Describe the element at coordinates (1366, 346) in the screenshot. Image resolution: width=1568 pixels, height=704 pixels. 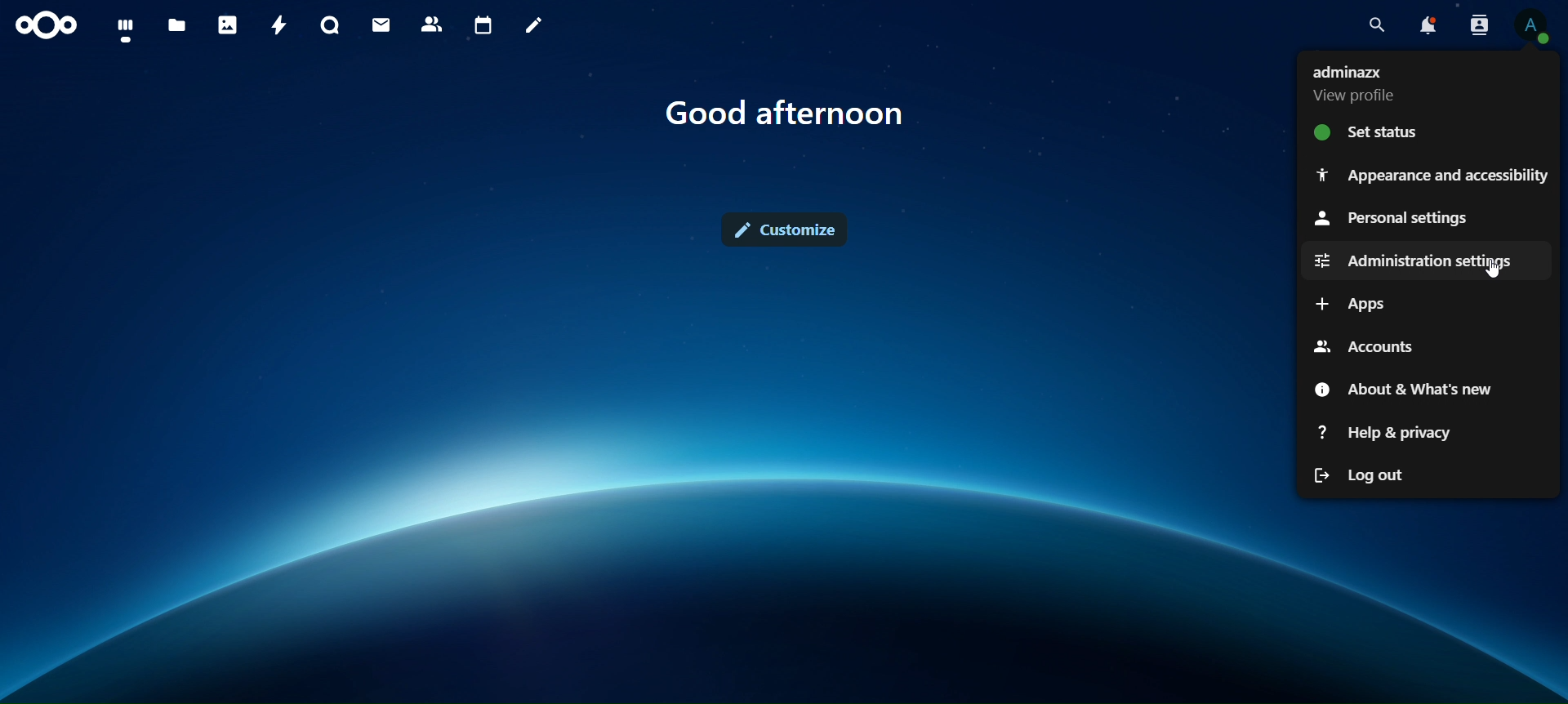
I see `accounts` at that location.